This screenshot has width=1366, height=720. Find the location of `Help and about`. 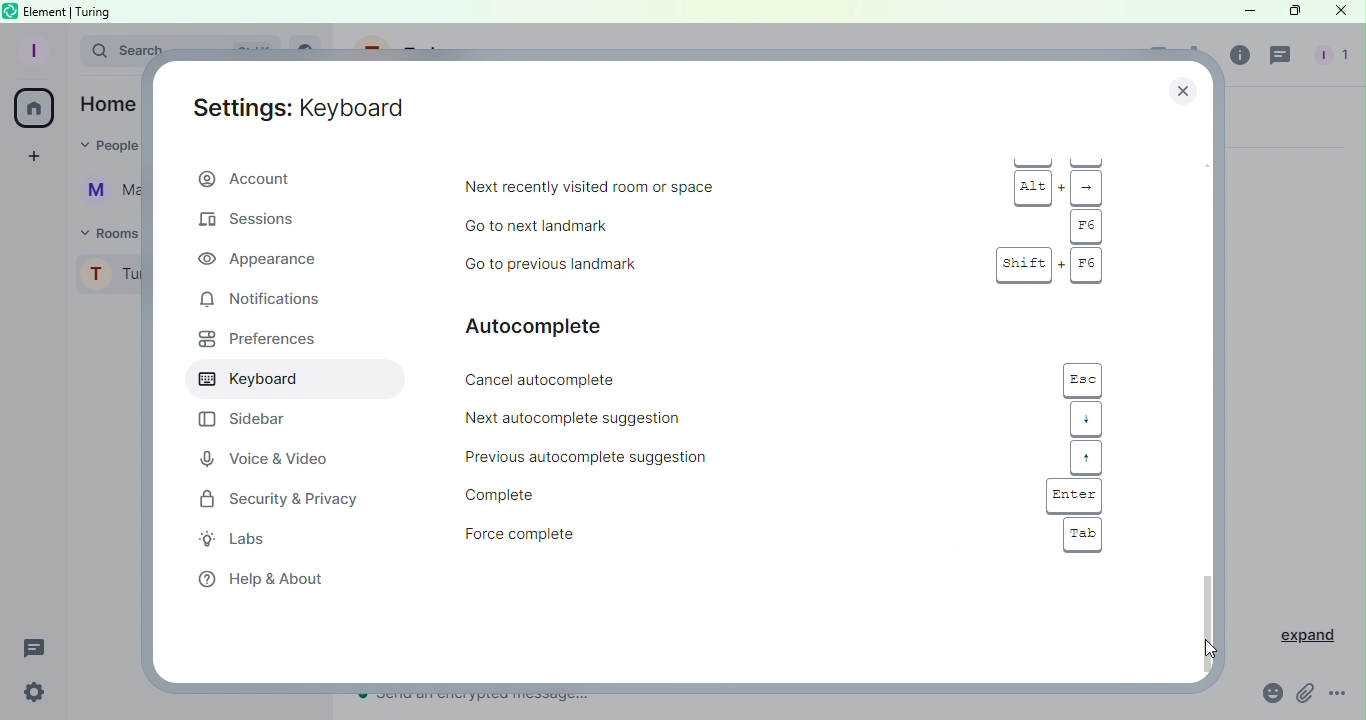

Help and about is located at coordinates (258, 580).